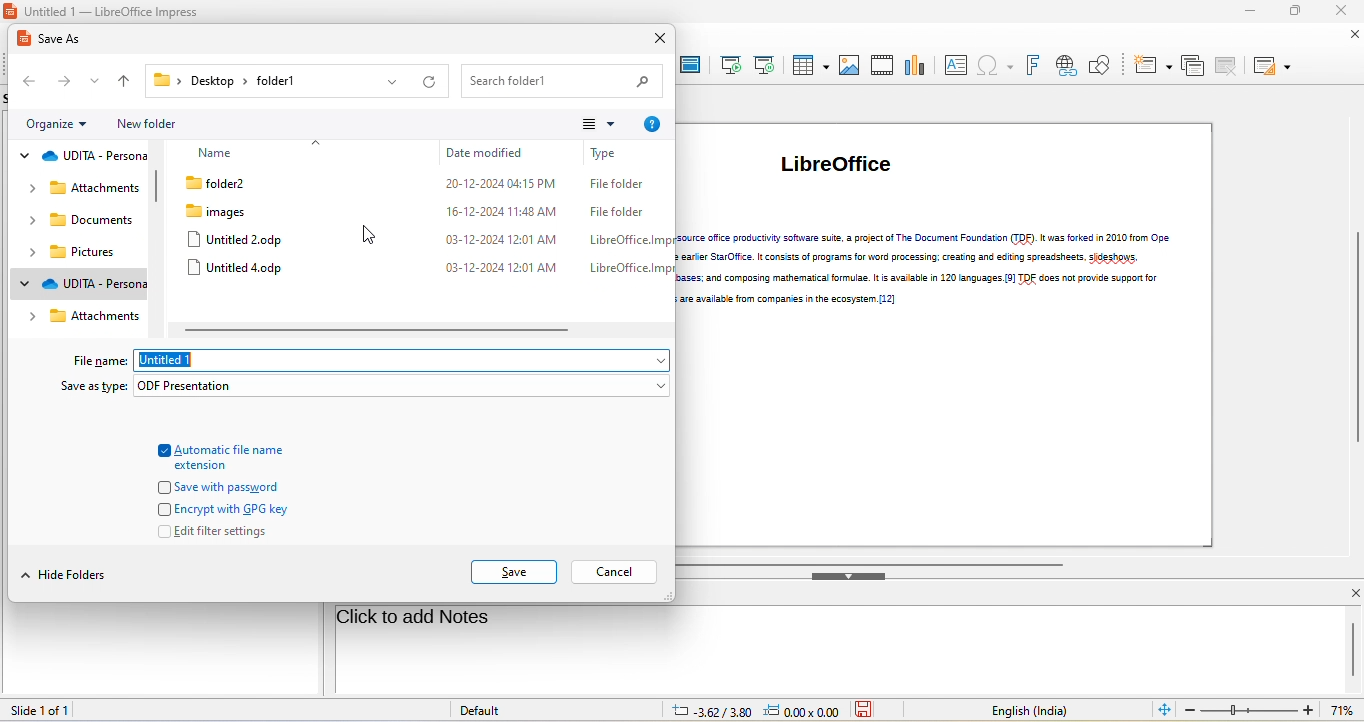 This screenshot has width=1364, height=722. What do you see at coordinates (612, 212) in the screenshot?
I see `File folder` at bounding box center [612, 212].